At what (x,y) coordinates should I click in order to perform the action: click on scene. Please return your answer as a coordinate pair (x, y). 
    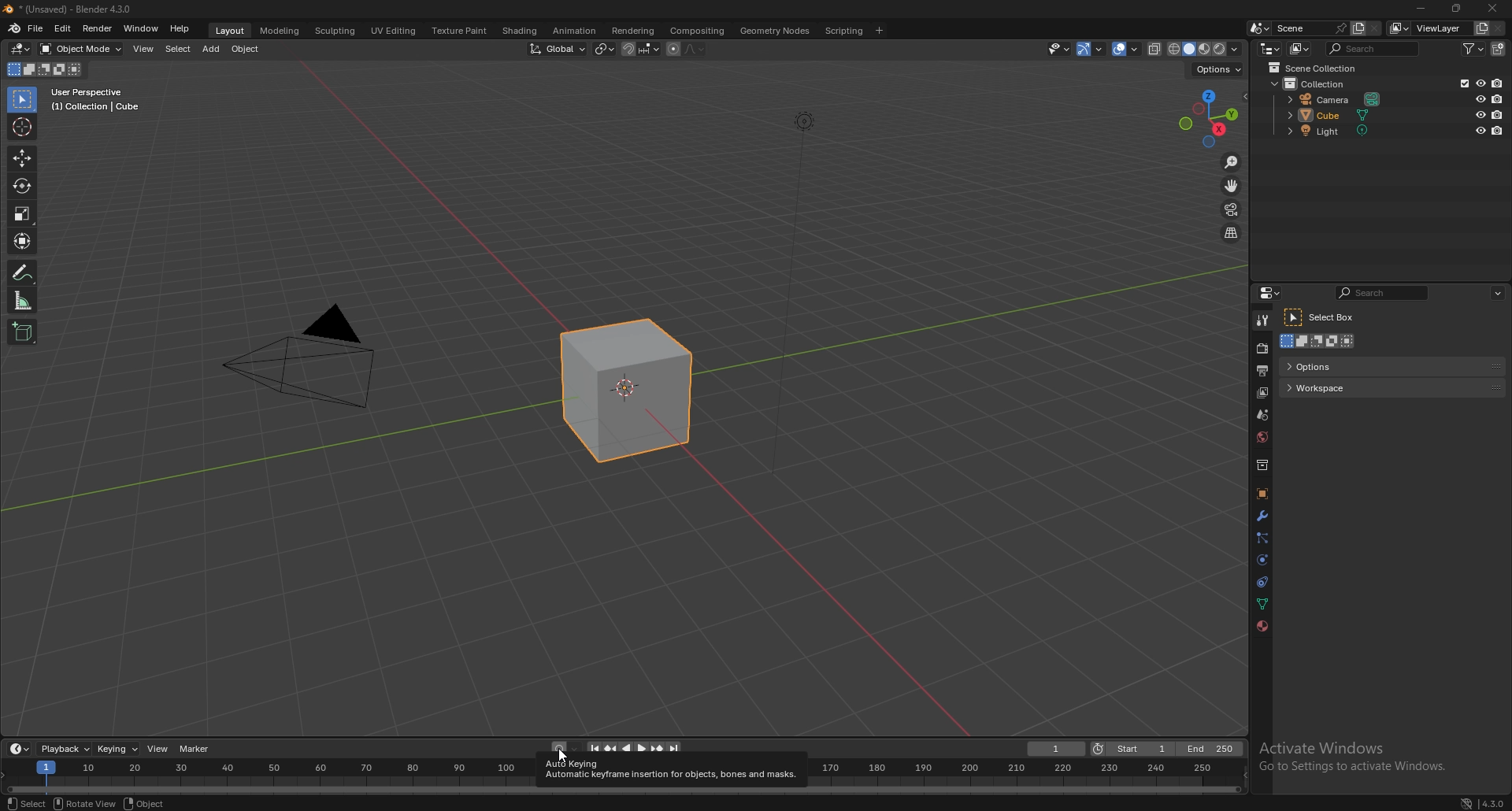
    Looking at the image, I should click on (1263, 413).